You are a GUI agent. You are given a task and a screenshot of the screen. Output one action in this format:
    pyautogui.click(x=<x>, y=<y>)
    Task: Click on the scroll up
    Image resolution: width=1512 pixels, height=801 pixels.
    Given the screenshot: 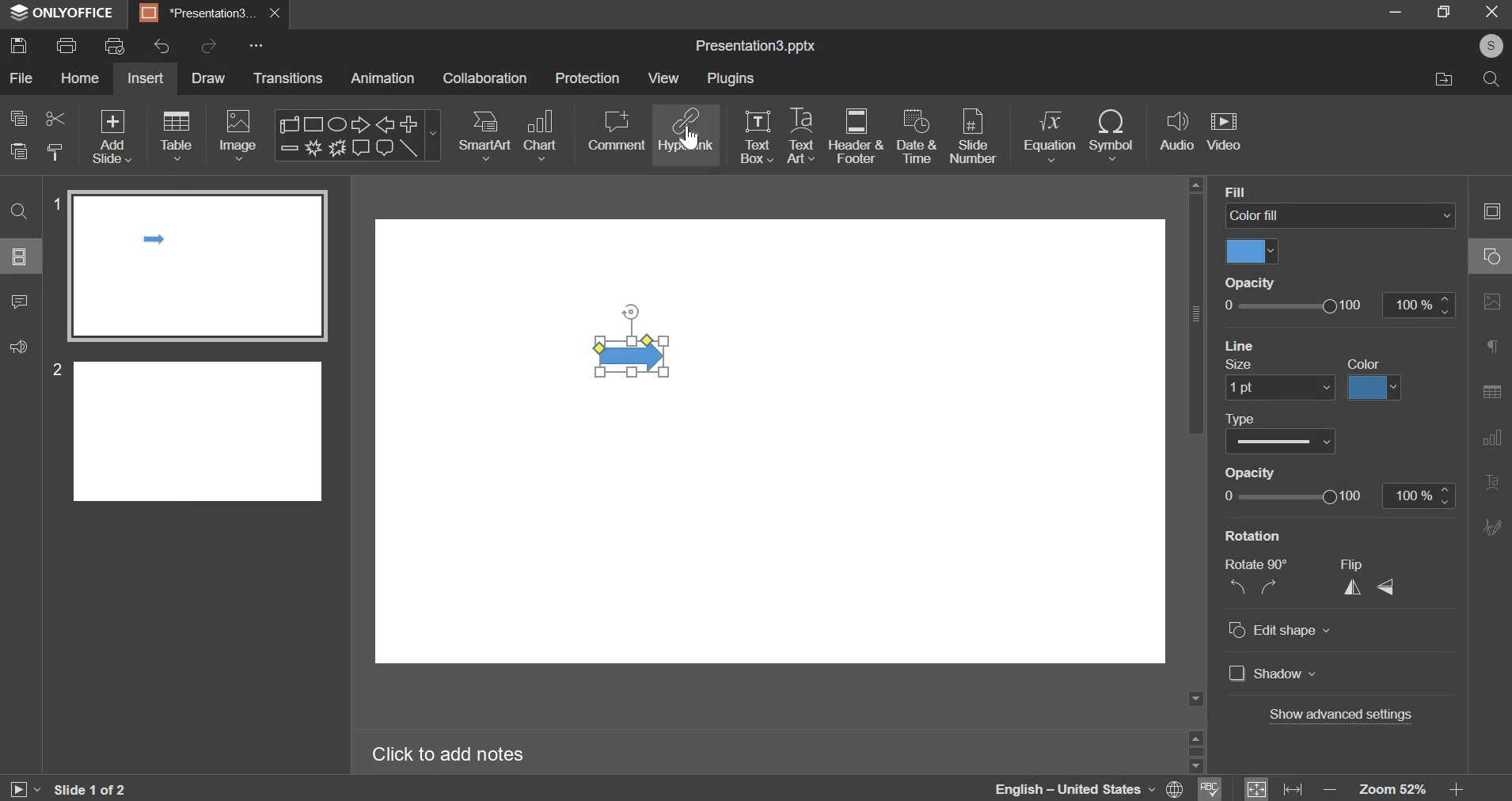 What is the action you would take?
    pyautogui.click(x=1195, y=736)
    